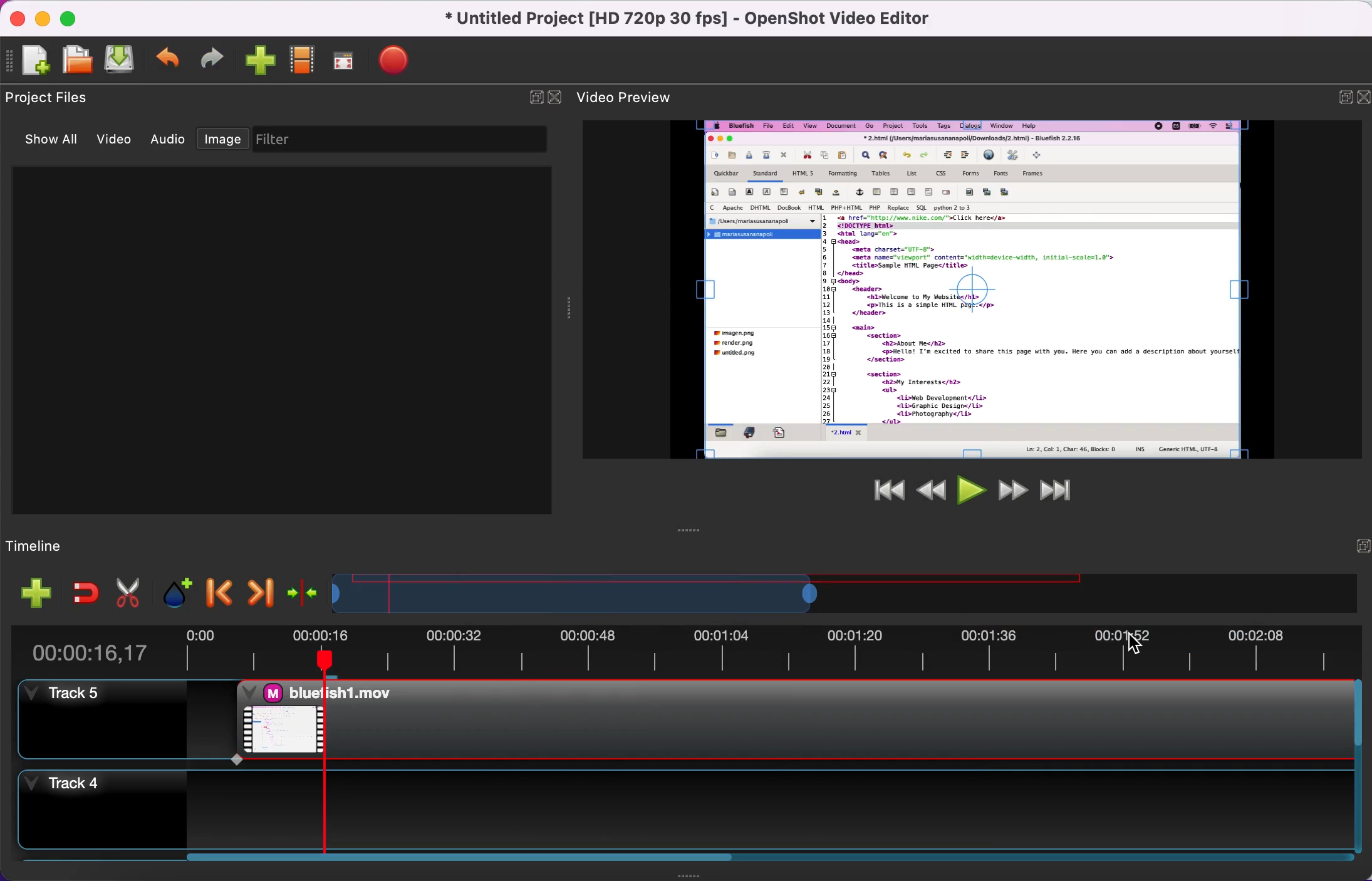  I want to click on add marker, so click(172, 589).